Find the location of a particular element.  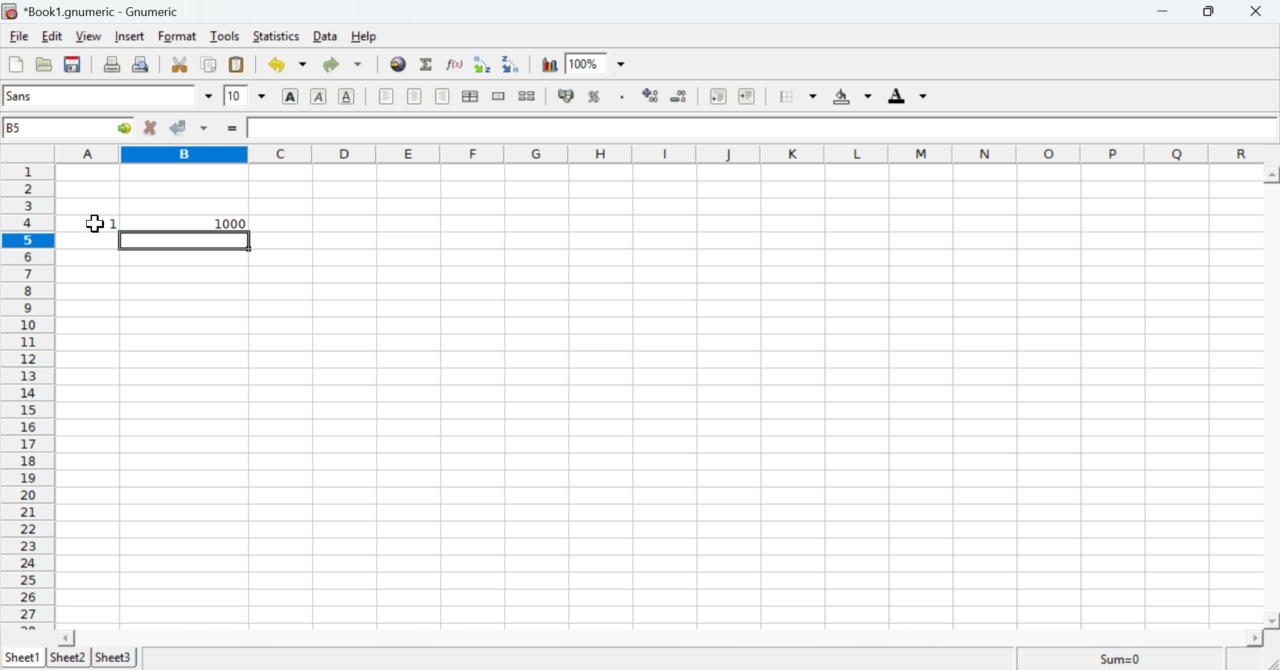

Undo is located at coordinates (289, 64).